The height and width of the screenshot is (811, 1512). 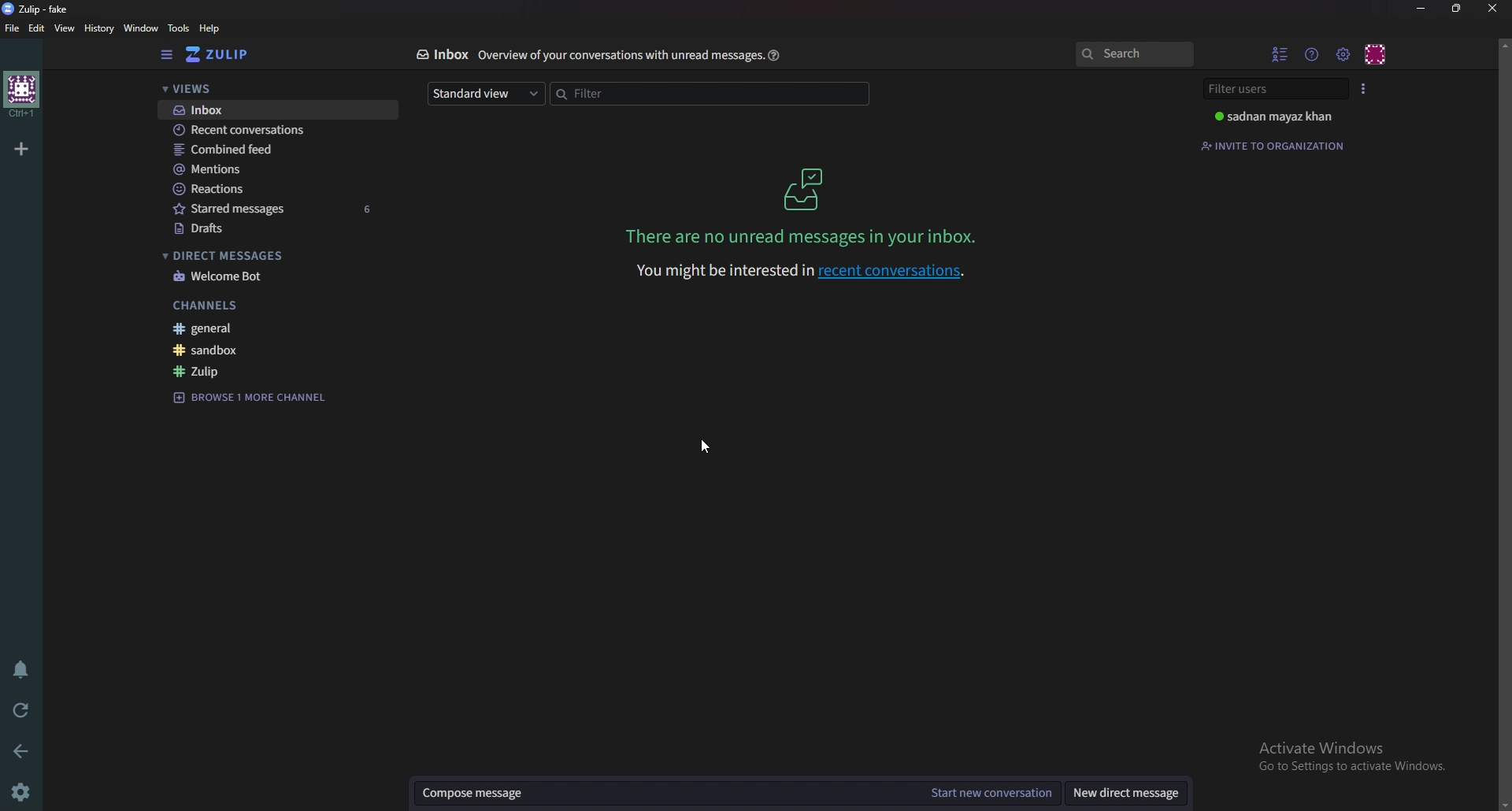 I want to click on Hide sidebar, so click(x=165, y=55).